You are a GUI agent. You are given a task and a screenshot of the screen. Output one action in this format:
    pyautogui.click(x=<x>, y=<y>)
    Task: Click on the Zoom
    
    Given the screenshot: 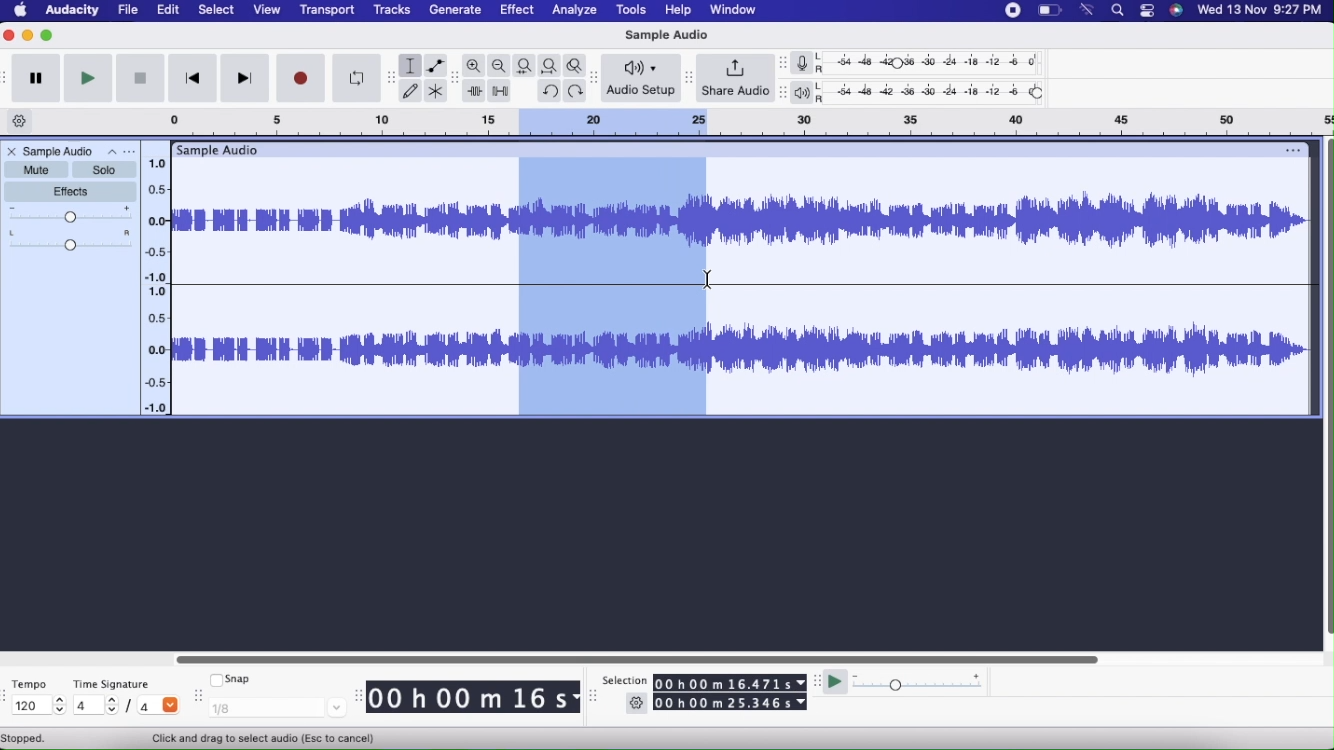 What is the action you would take?
    pyautogui.click(x=475, y=66)
    